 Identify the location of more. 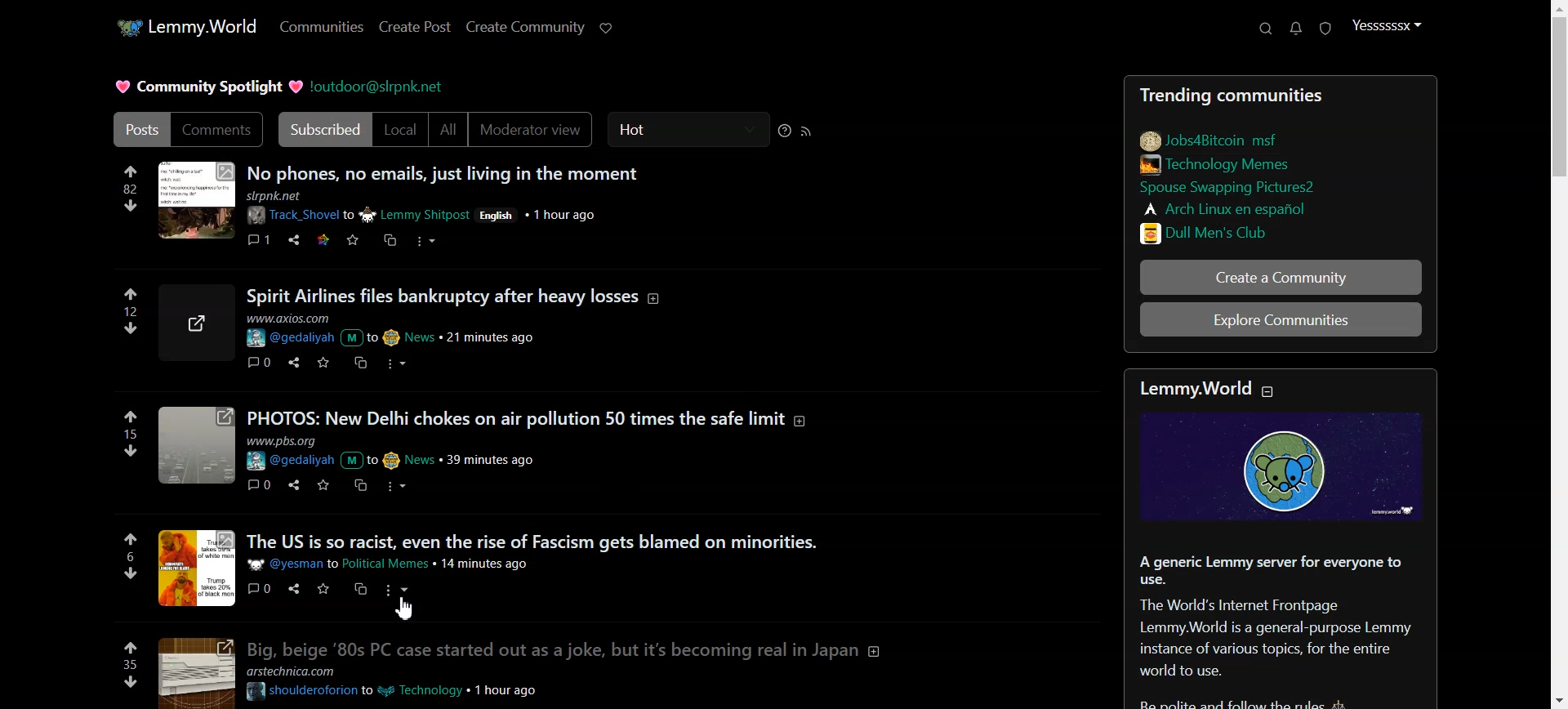
(399, 590).